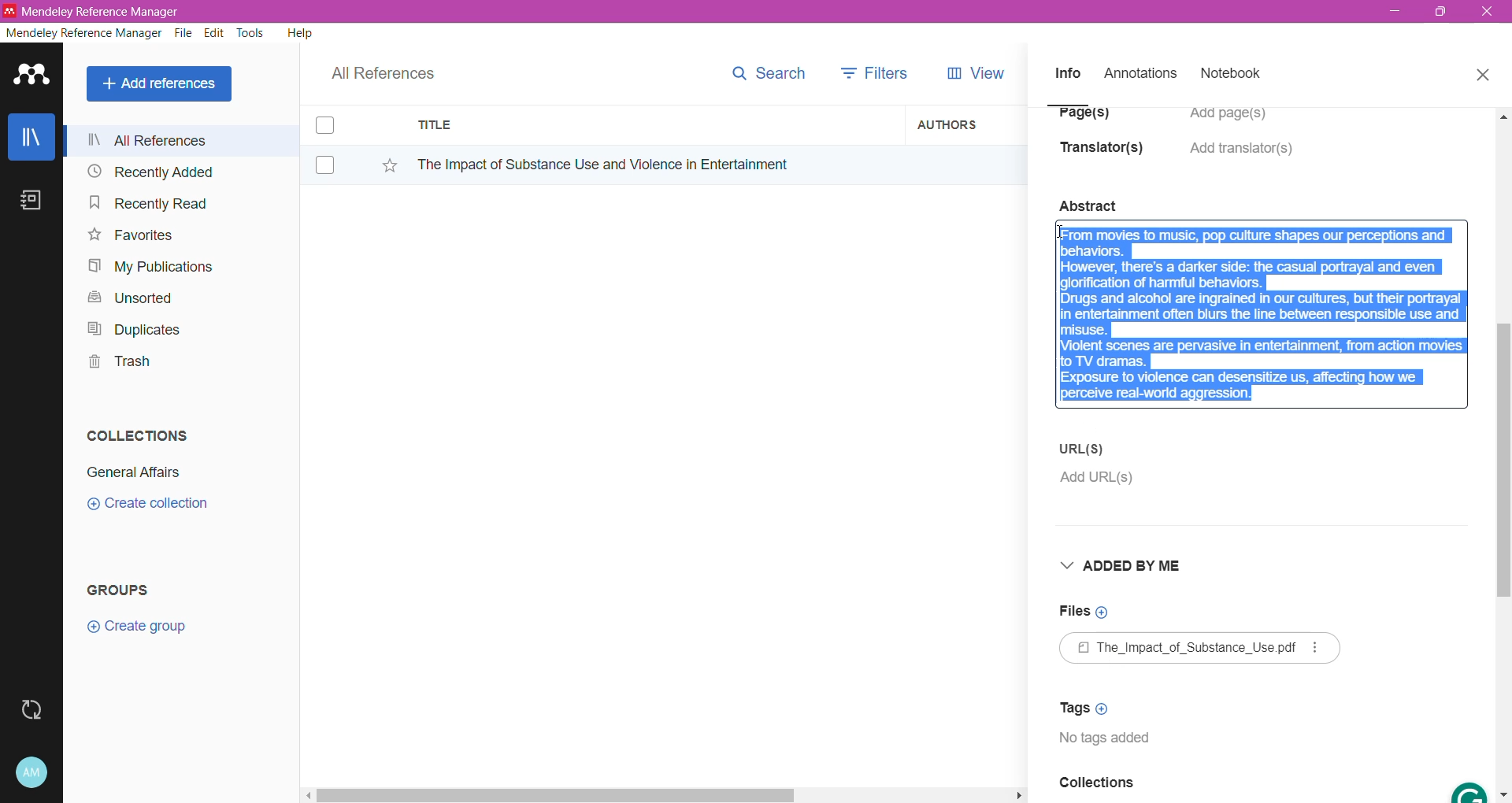 This screenshot has height=803, width=1512. What do you see at coordinates (653, 164) in the screenshot?
I see `Reference Title` at bounding box center [653, 164].